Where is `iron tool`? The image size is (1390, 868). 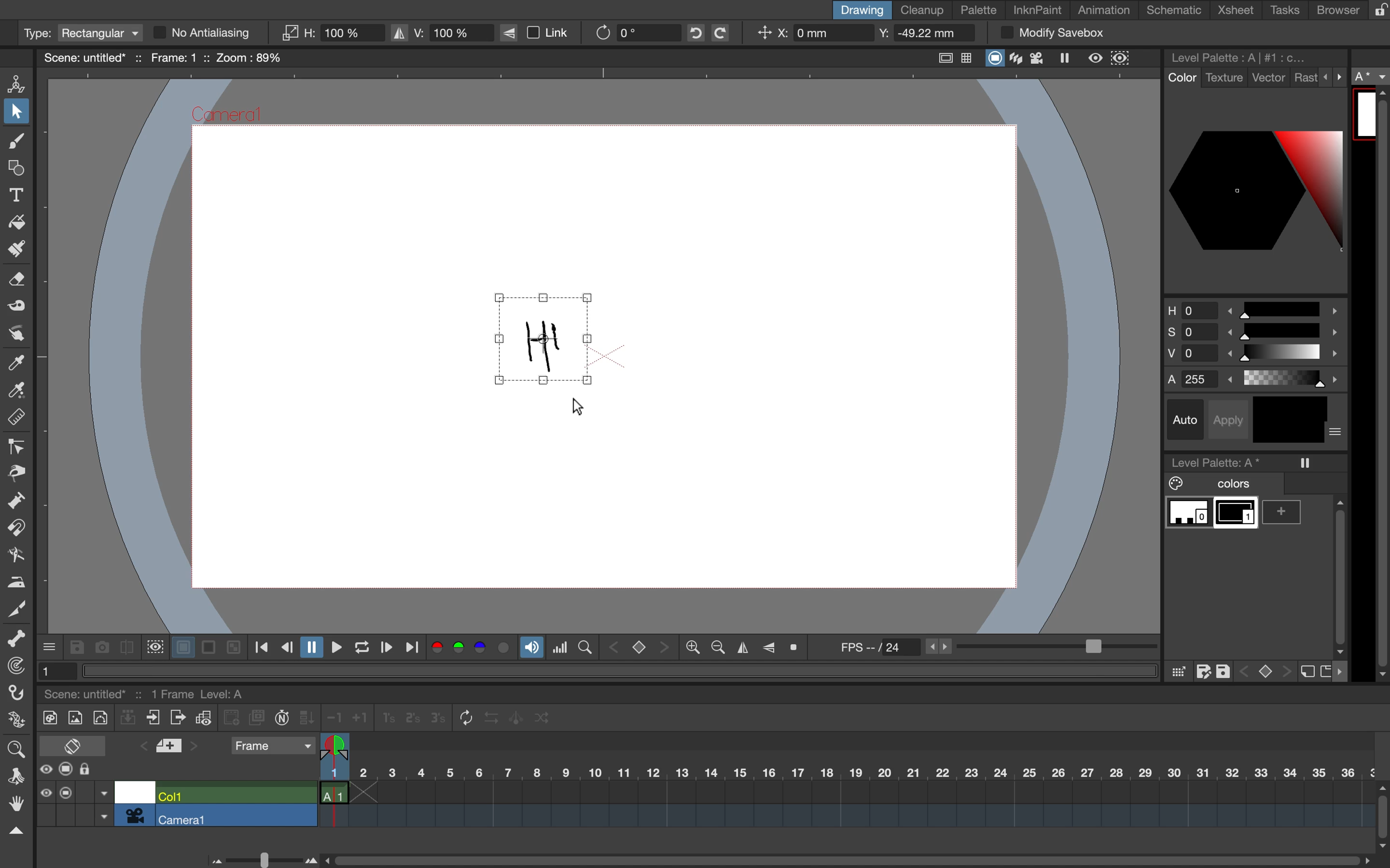 iron tool is located at coordinates (17, 580).